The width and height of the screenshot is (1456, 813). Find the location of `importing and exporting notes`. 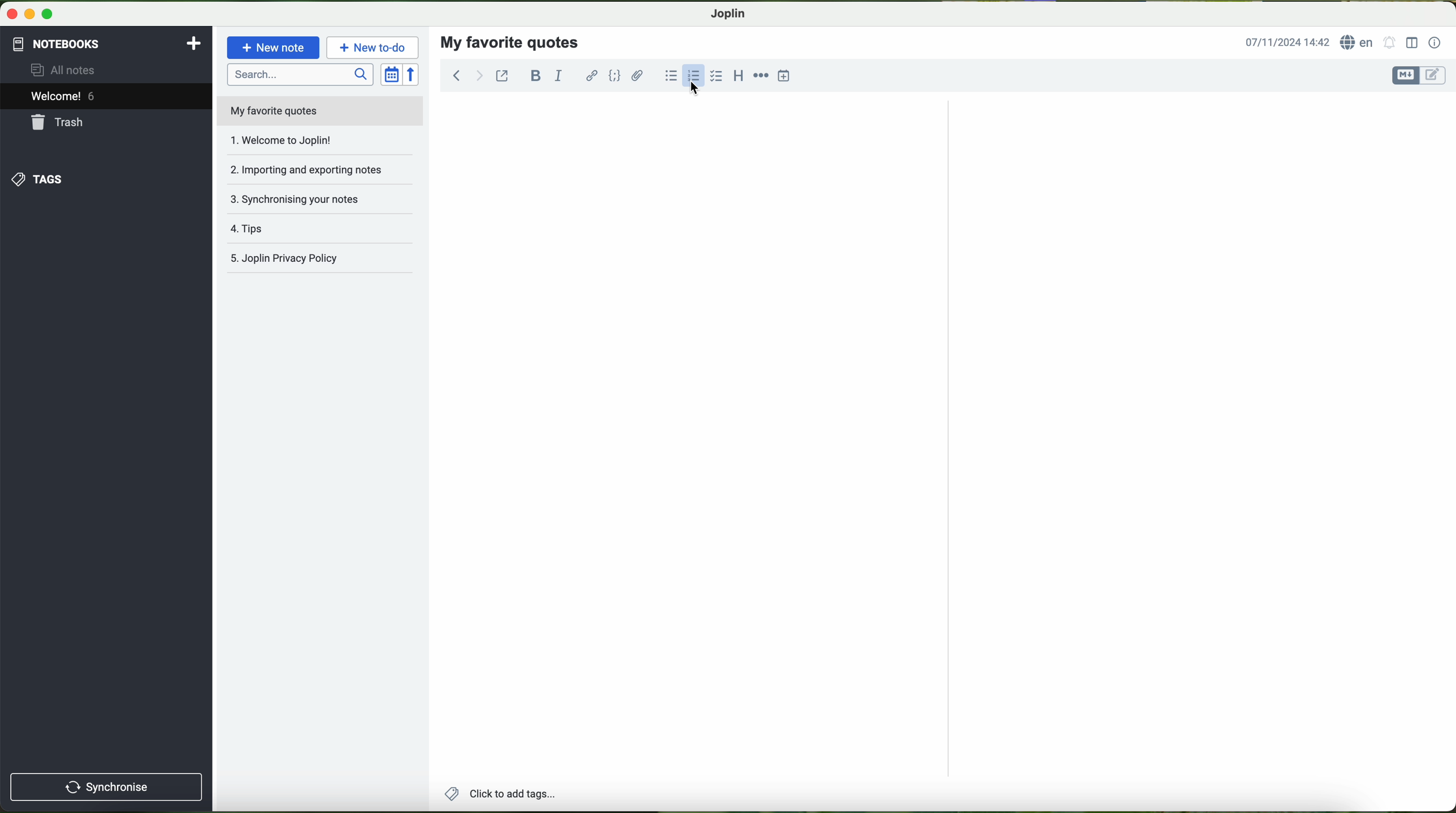

importing and exporting notes is located at coordinates (318, 168).